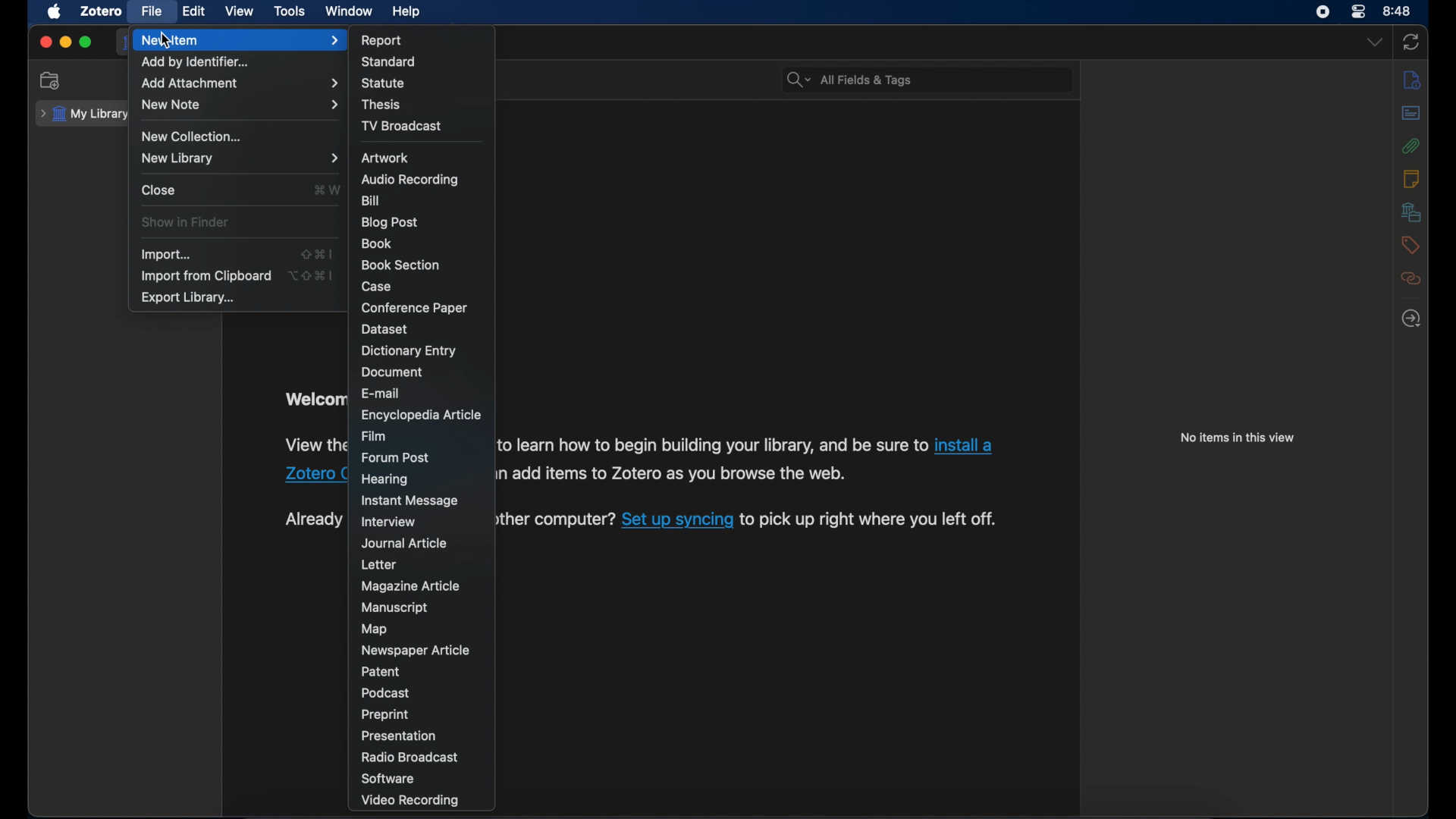  What do you see at coordinates (193, 11) in the screenshot?
I see `edit` at bounding box center [193, 11].